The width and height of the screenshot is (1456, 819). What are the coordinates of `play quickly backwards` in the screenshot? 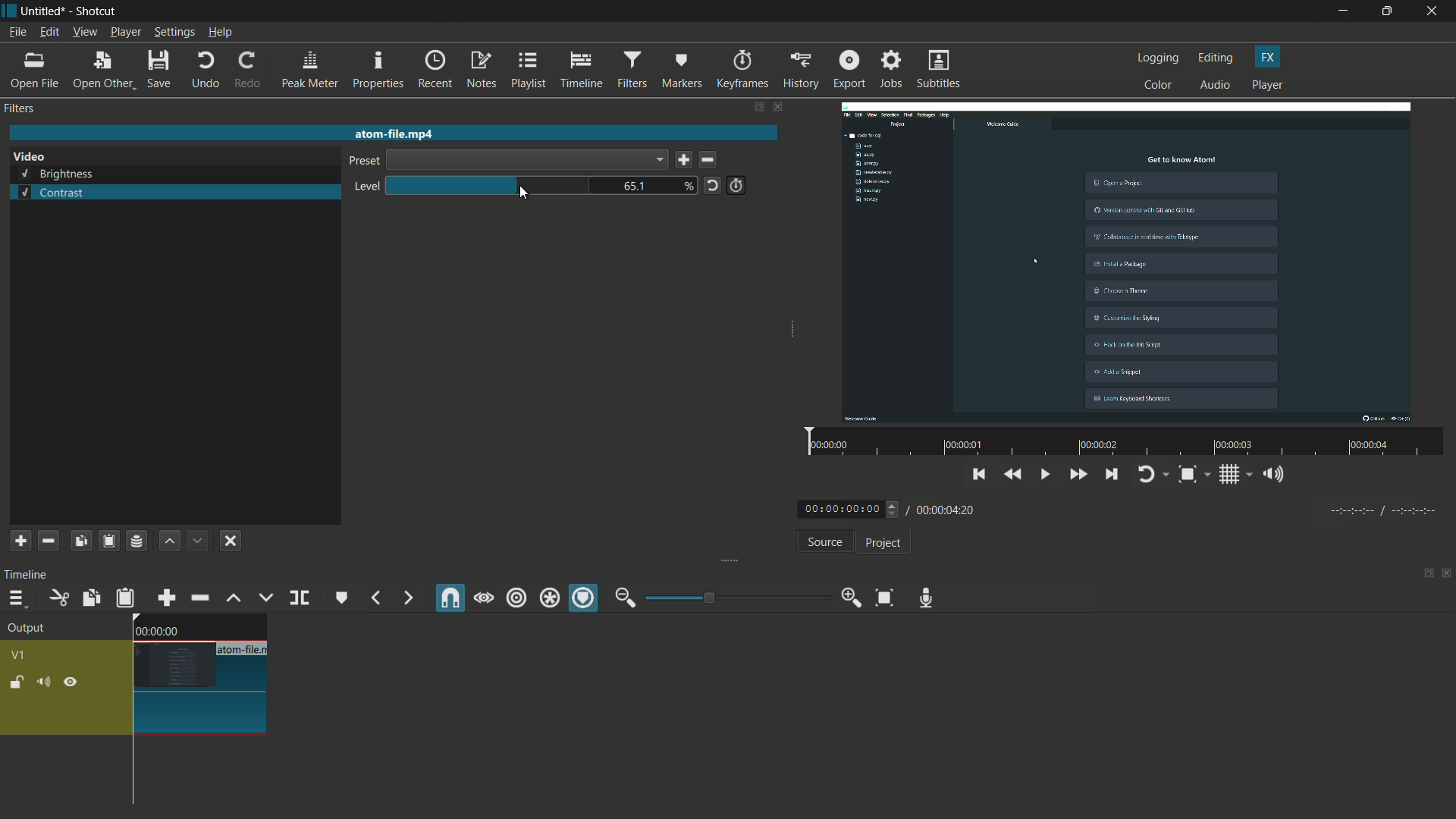 It's located at (1014, 475).